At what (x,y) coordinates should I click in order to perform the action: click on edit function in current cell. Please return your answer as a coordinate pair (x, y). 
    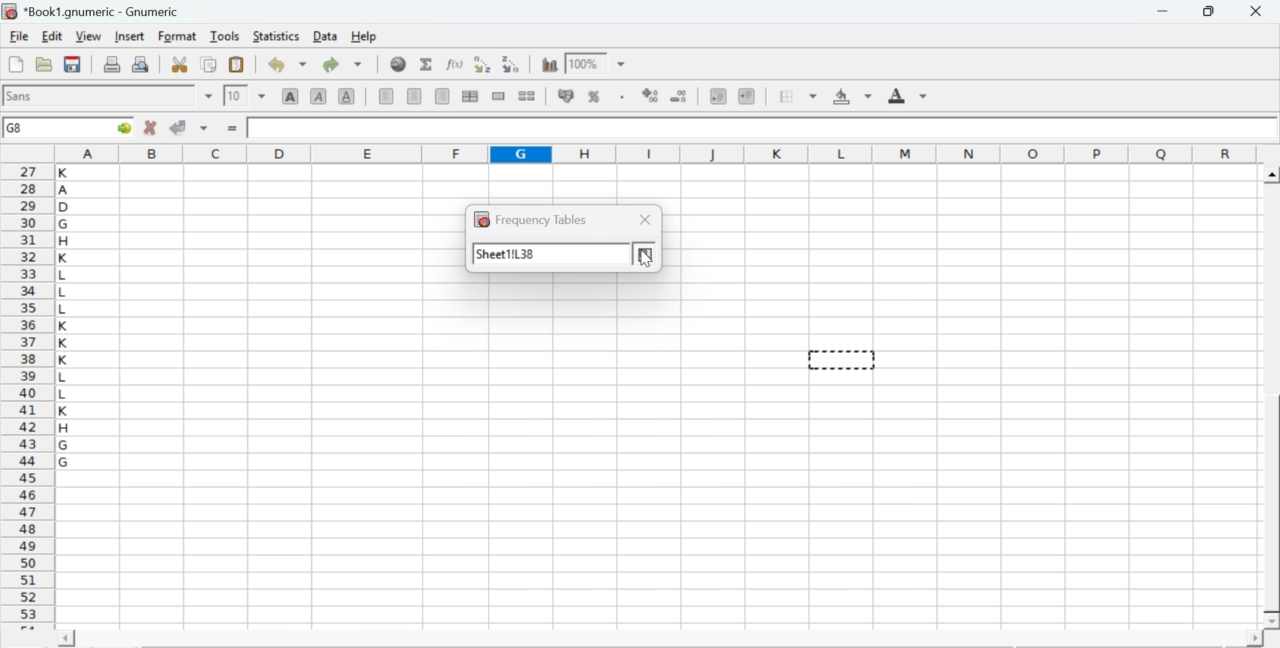
    Looking at the image, I should click on (456, 63).